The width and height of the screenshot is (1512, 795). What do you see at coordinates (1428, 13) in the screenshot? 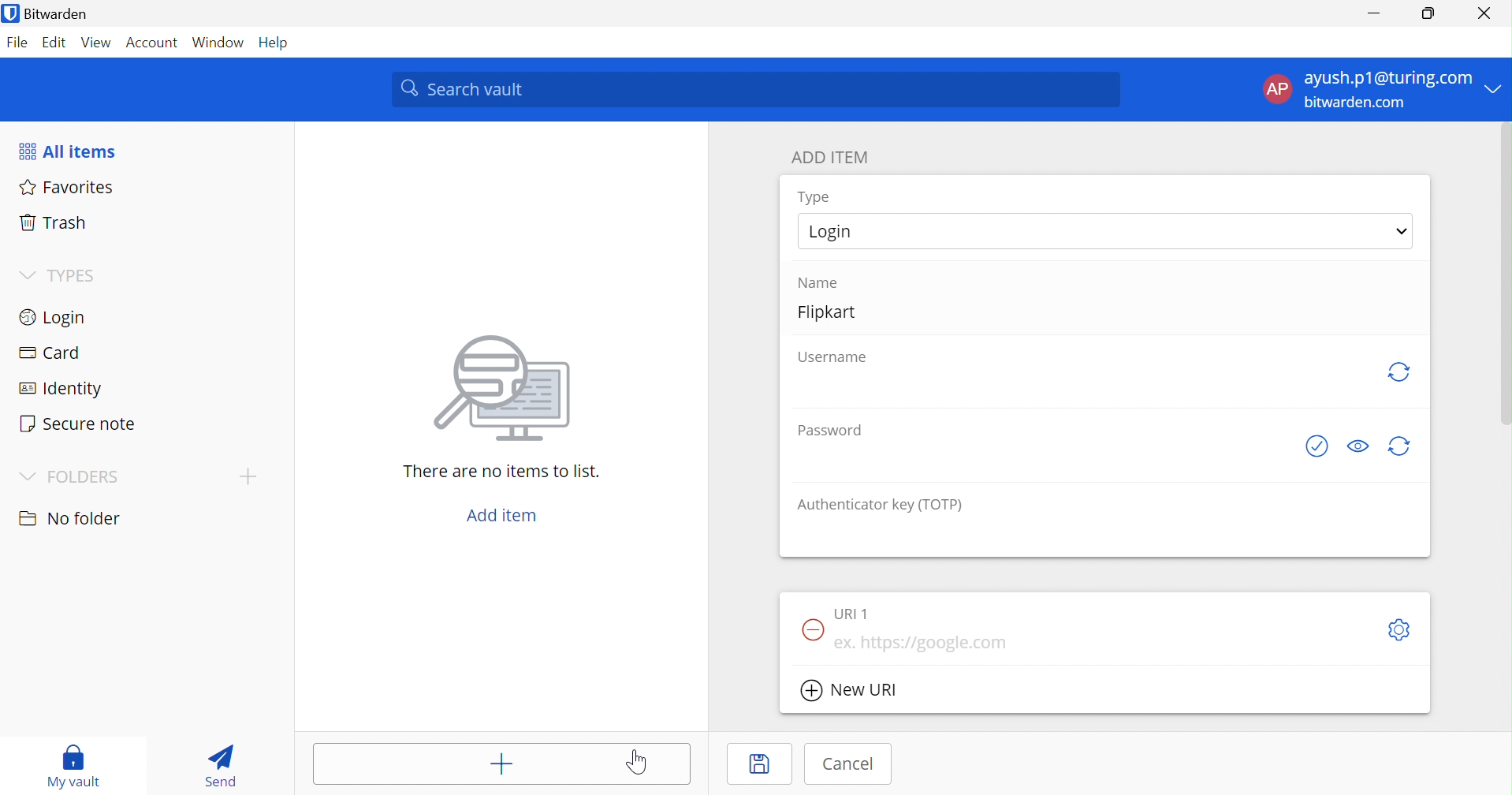
I see `Restore Down` at bounding box center [1428, 13].